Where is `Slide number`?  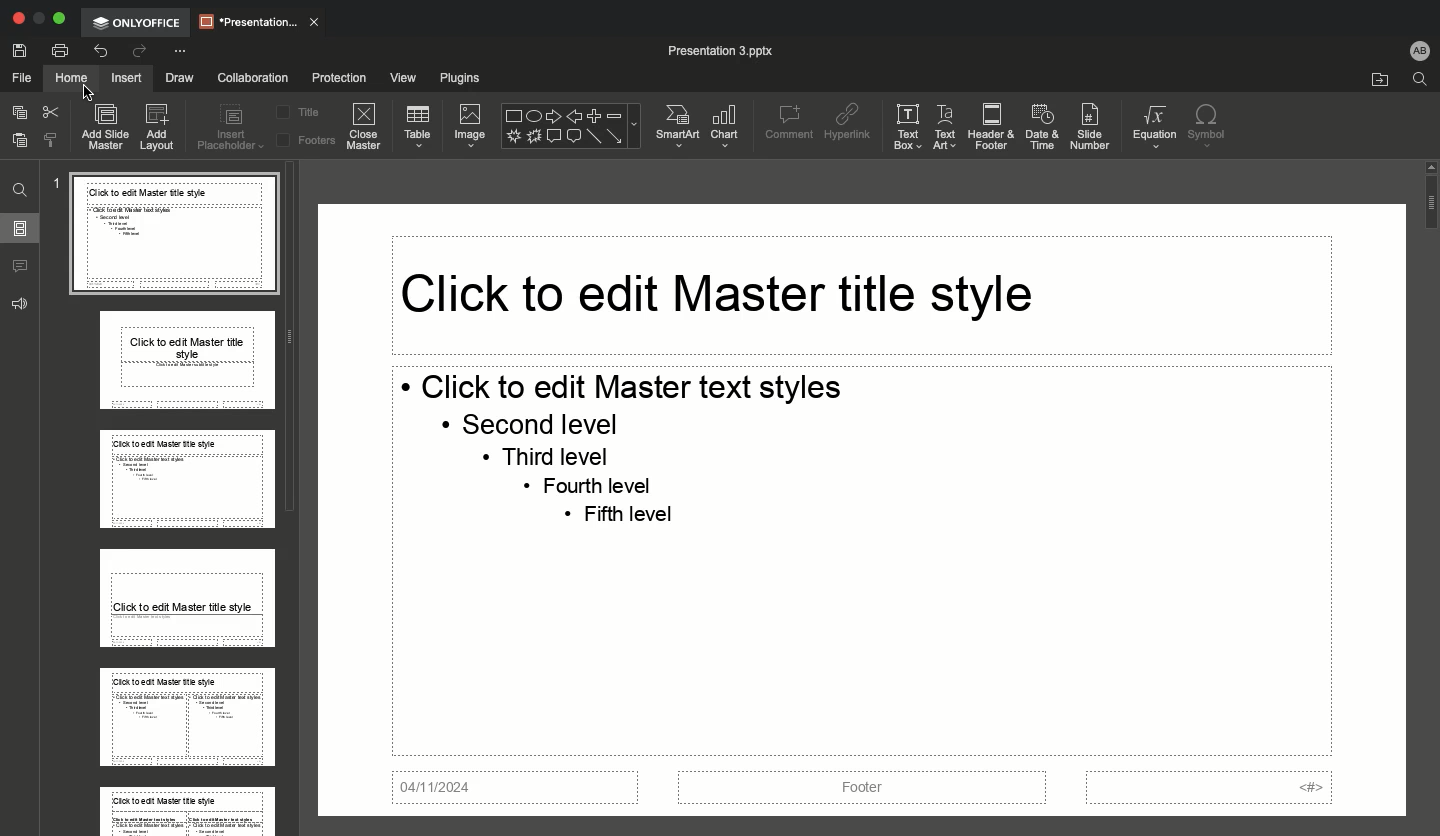
Slide number is located at coordinates (1093, 125).